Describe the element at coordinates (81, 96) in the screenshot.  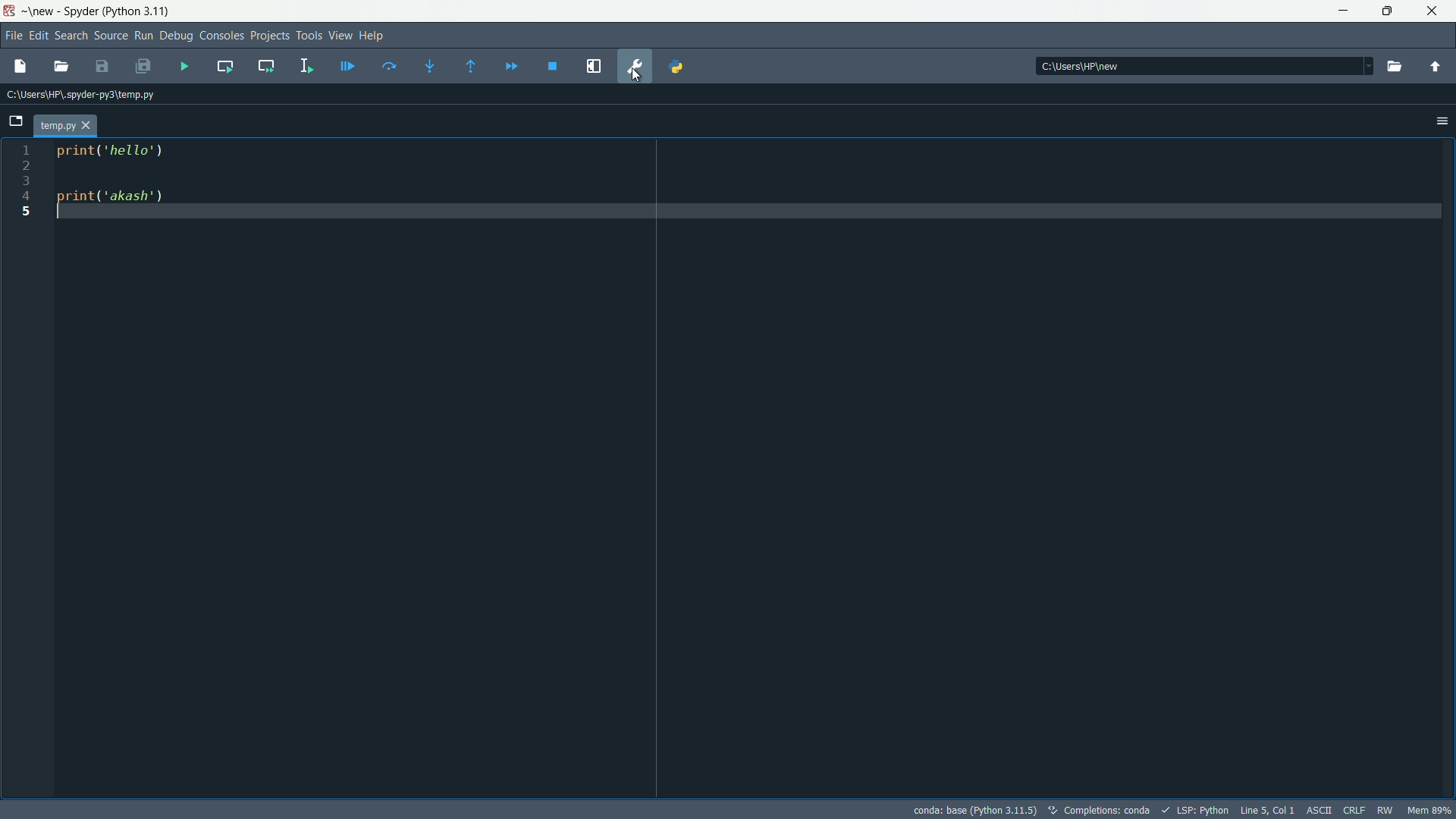
I see `directory` at that location.